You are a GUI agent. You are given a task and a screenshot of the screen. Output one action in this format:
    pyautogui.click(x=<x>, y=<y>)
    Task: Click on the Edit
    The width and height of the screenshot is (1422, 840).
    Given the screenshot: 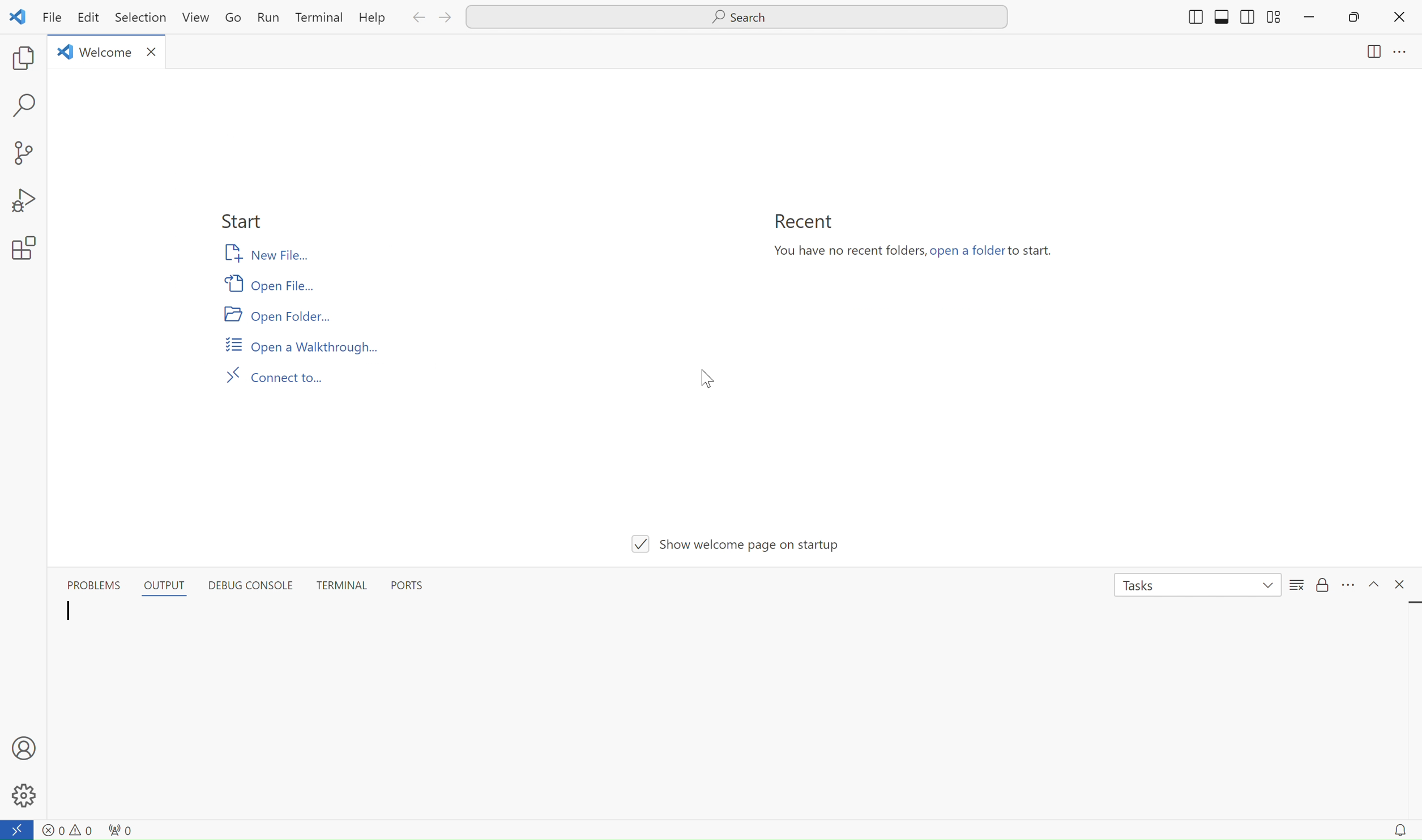 What is the action you would take?
    pyautogui.click(x=91, y=19)
    